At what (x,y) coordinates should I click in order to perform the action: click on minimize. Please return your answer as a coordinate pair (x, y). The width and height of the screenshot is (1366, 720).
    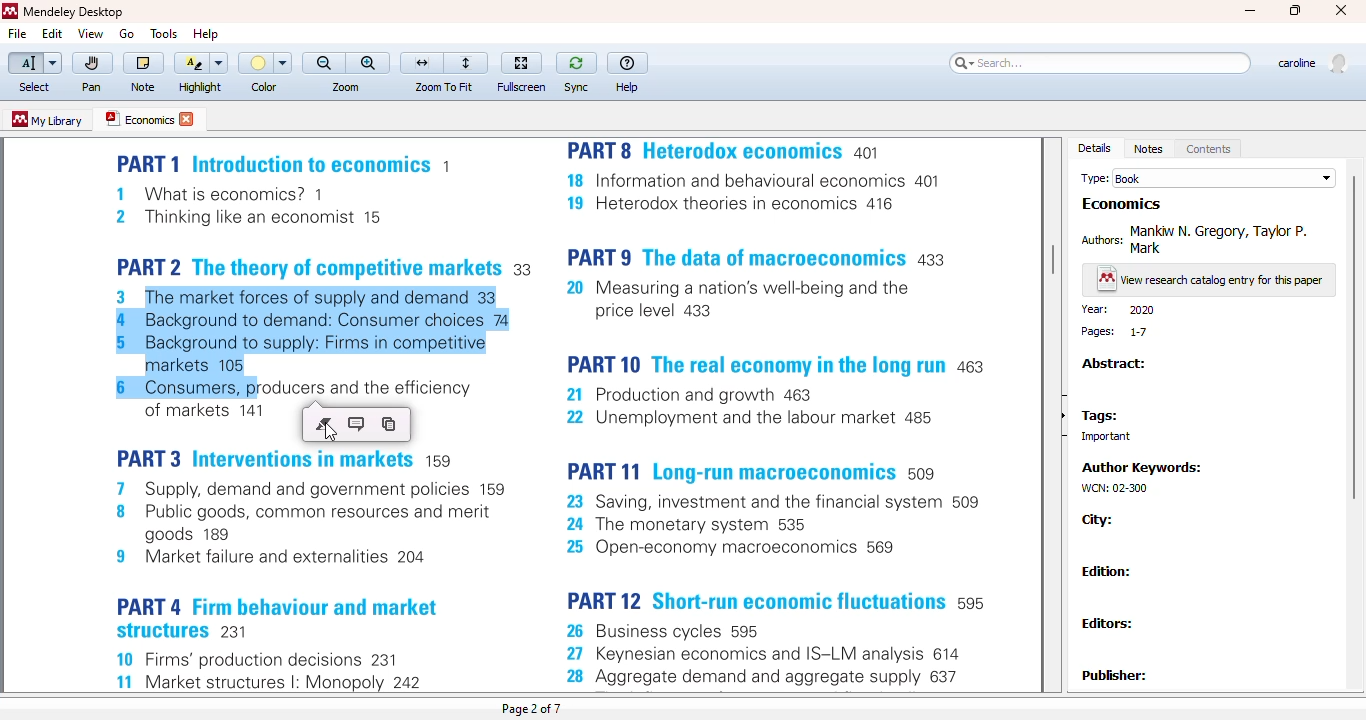
    Looking at the image, I should click on (1251, 11).